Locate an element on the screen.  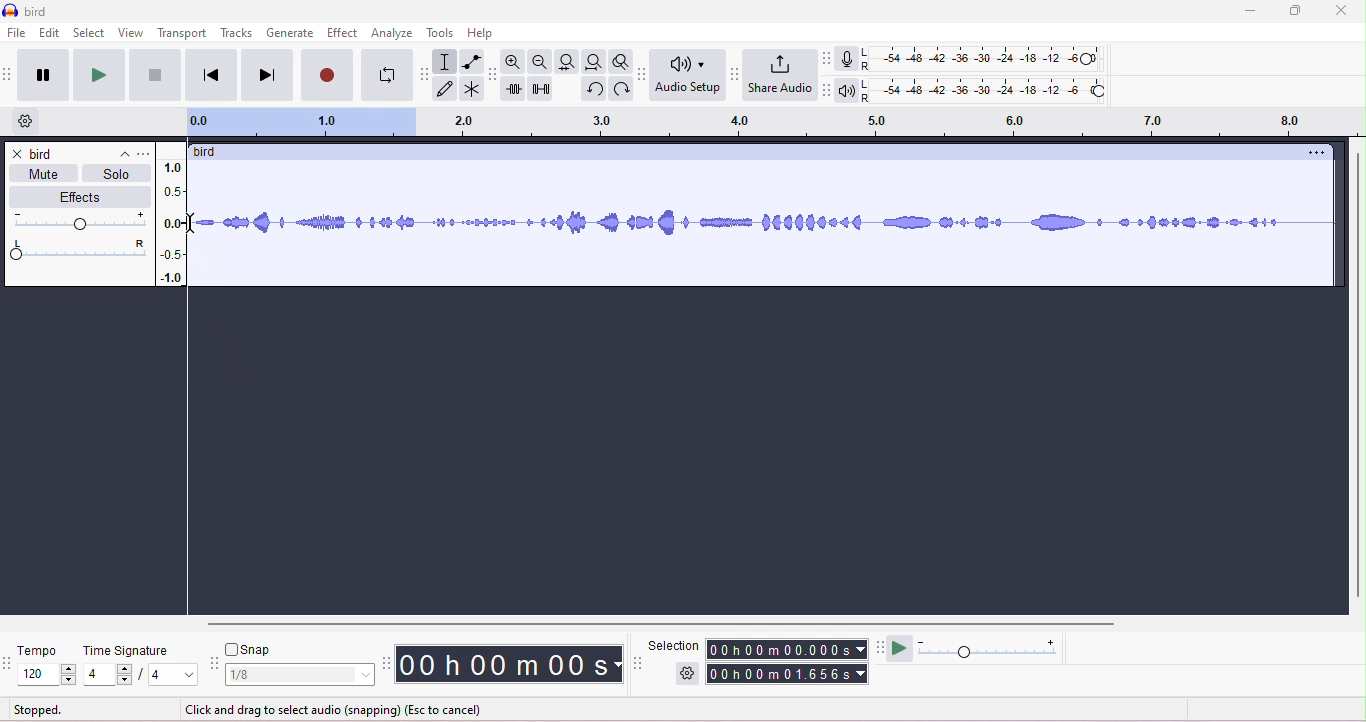
previous is located at coordinates (210, 76).